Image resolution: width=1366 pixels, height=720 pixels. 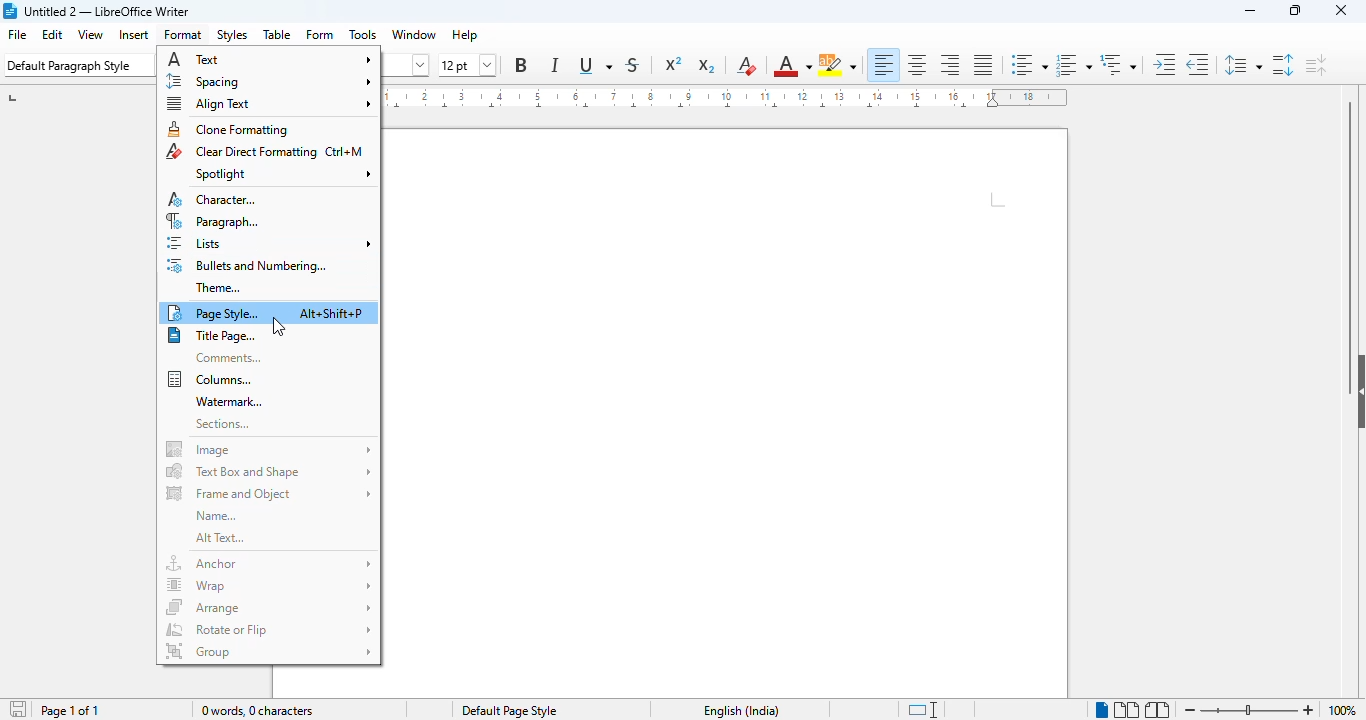 What do you see at coordinates (792, 66) in the screenshot?
I see `font color` at bounding box center [792, 66].